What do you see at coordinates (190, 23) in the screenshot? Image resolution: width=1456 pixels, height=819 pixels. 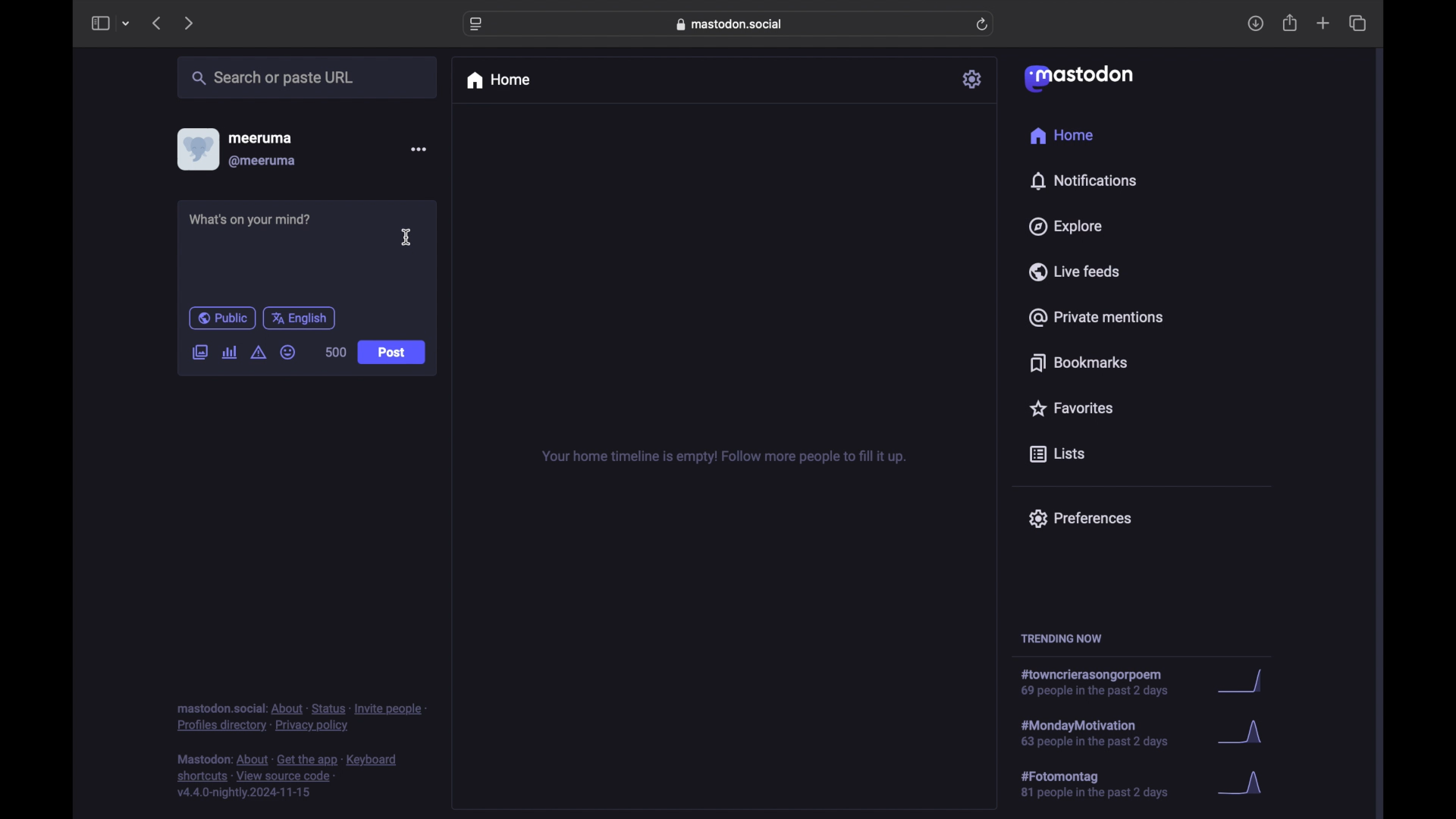 I see `next` at bounding box center [190, 23].